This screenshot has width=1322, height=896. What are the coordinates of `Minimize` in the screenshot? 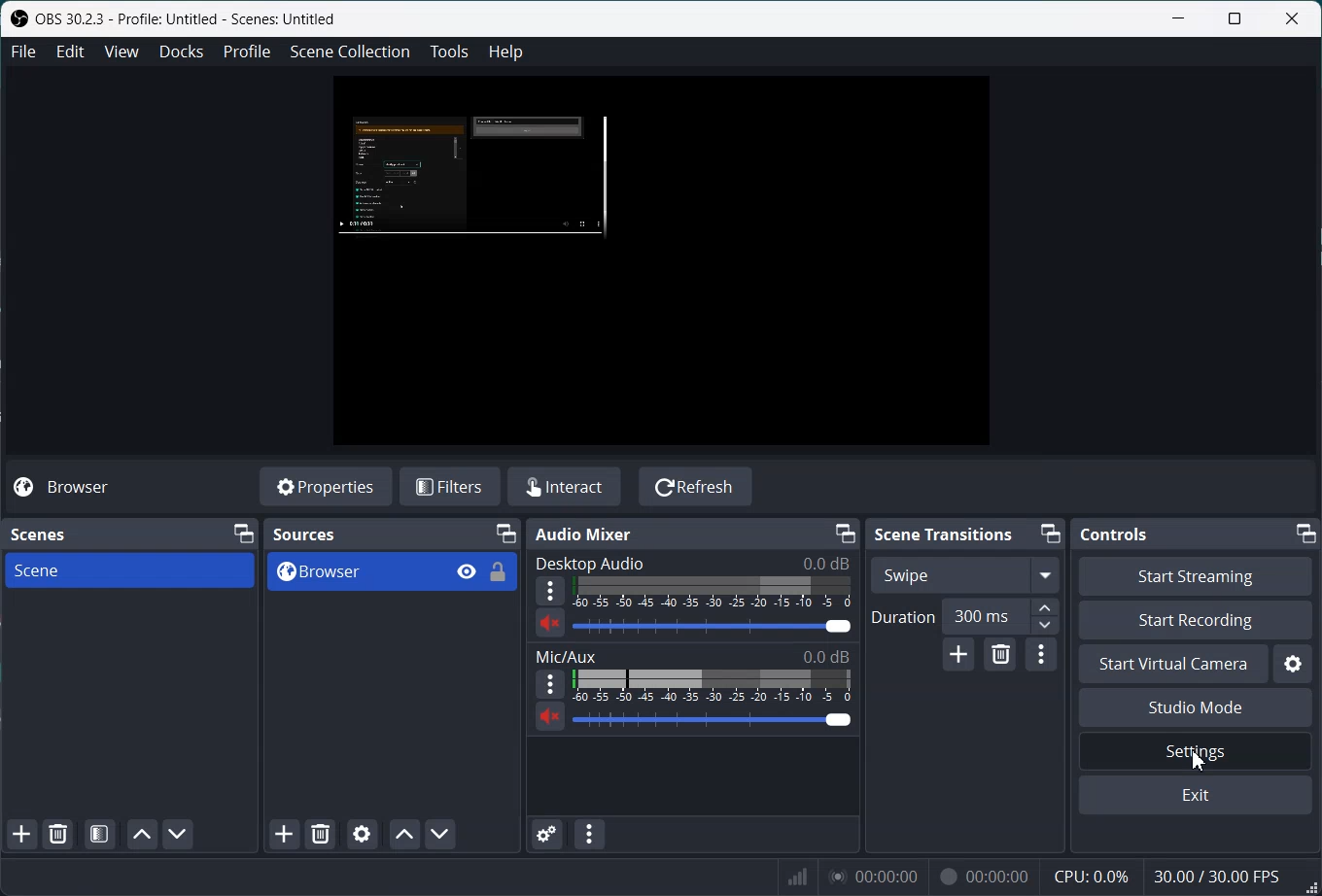 It's located at (244, 533).